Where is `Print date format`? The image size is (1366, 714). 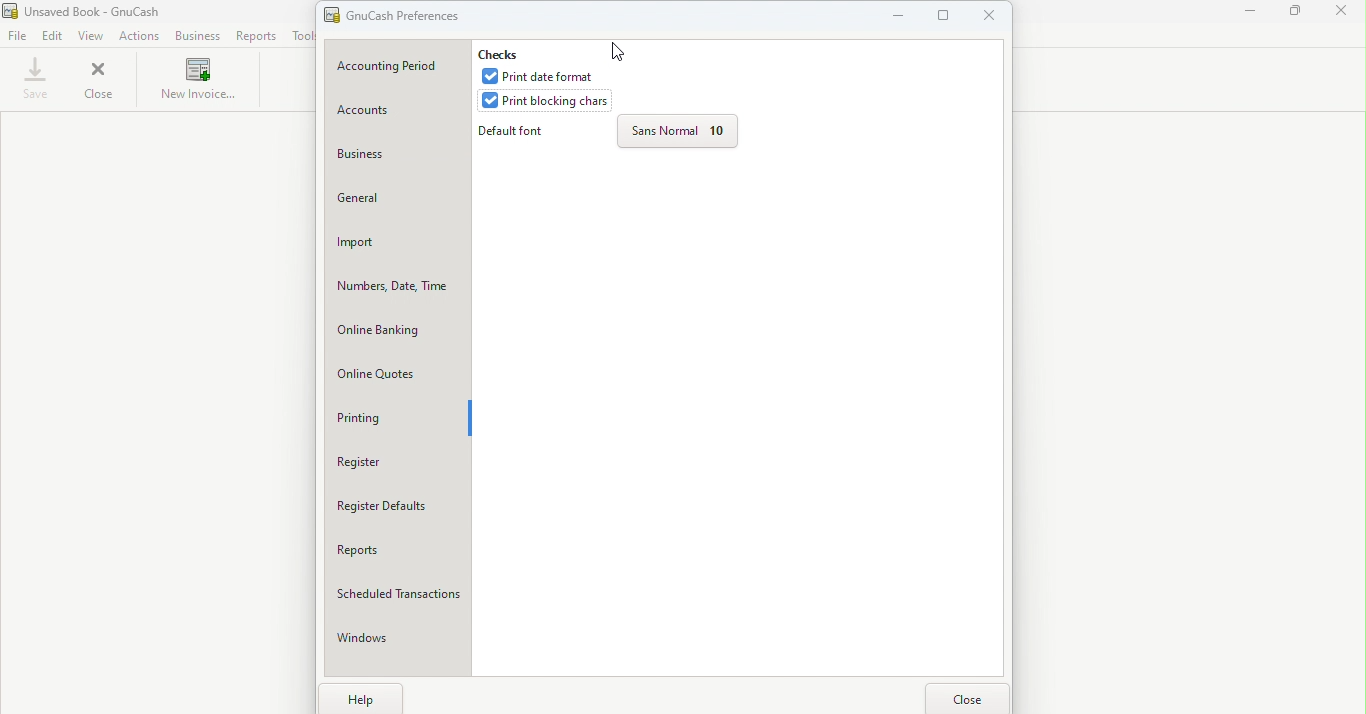
Print date format is located at coordinates (544, 77).